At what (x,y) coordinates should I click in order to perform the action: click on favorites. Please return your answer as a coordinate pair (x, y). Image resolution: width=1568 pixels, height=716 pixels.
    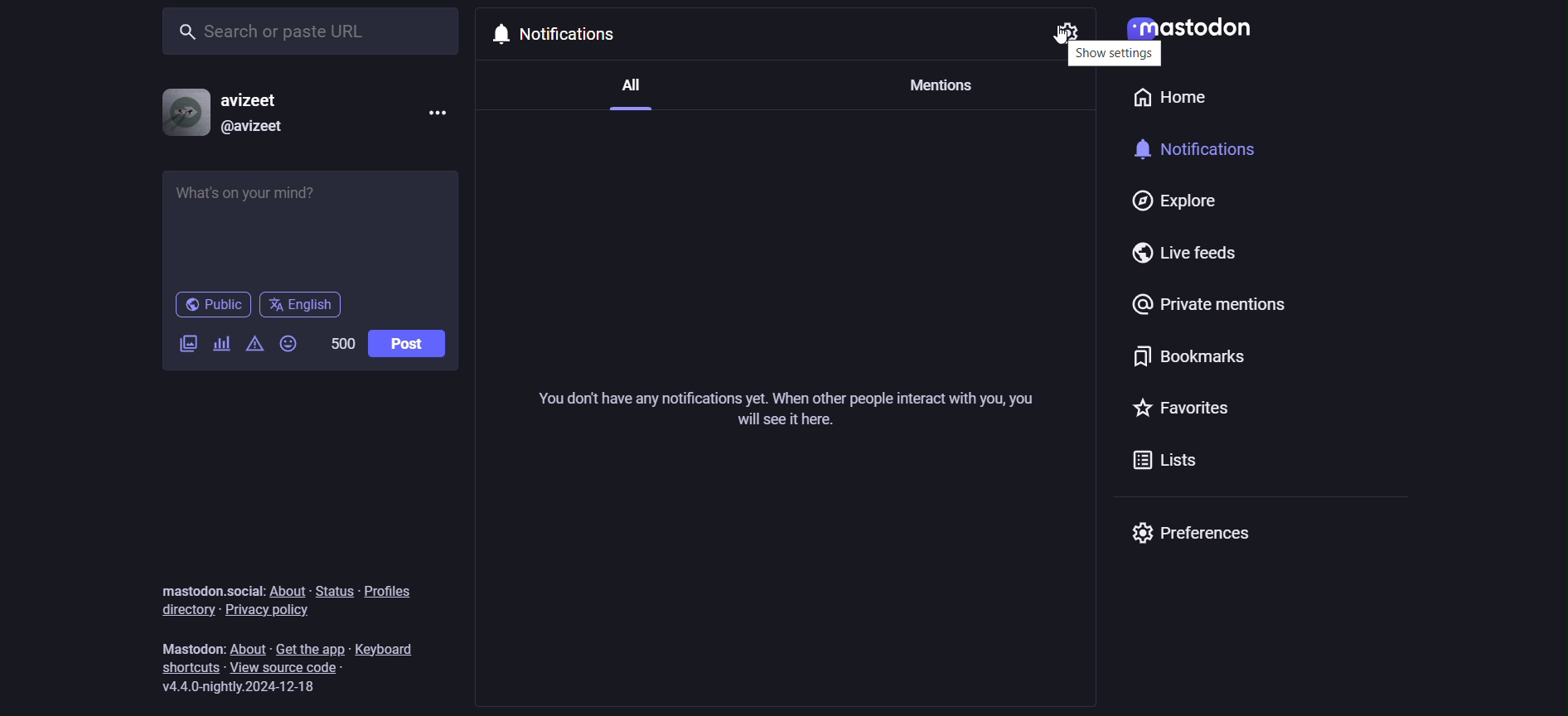
    Looking at the image, I should click on (1183, 409).